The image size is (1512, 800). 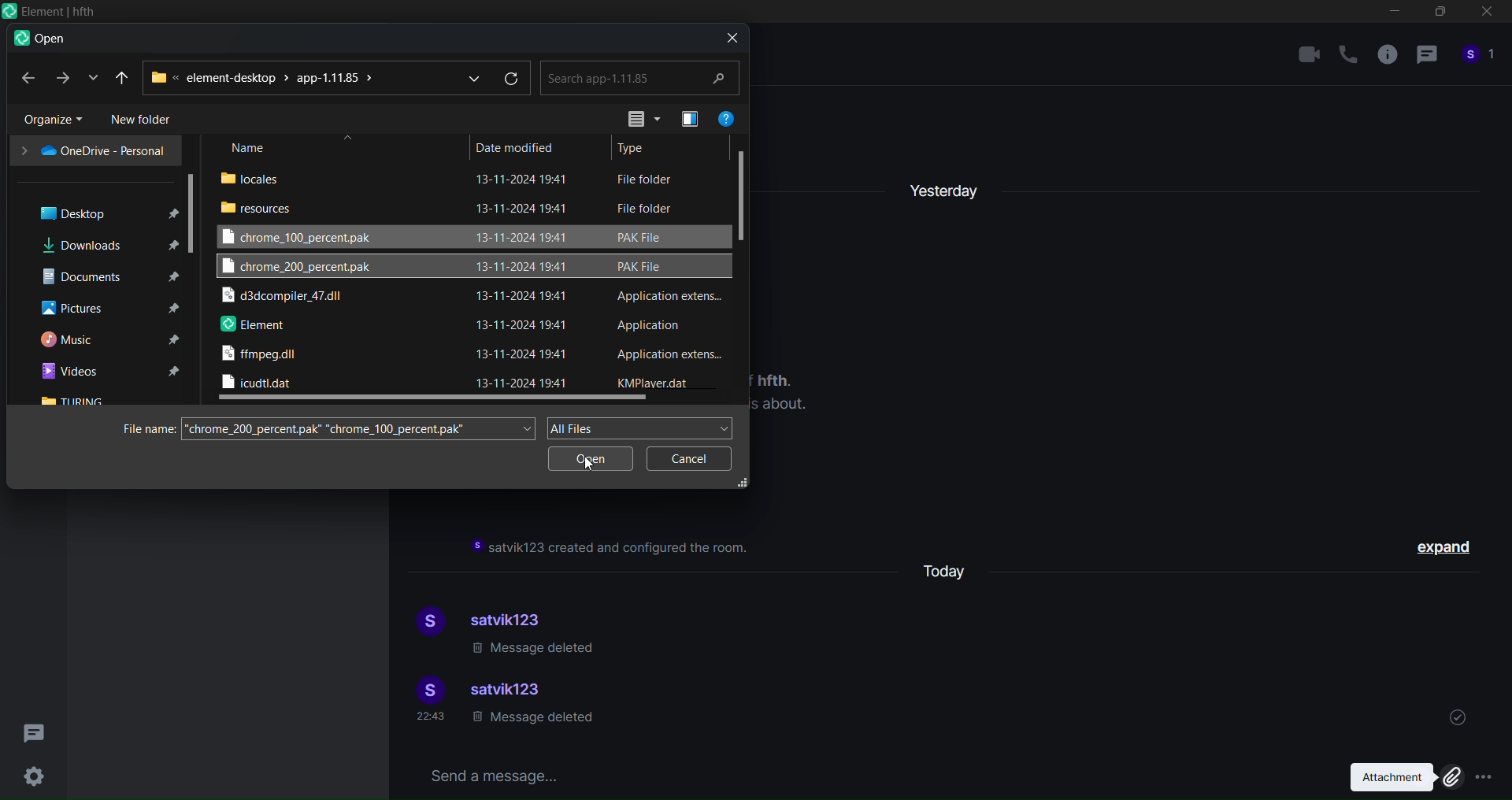 What do you see at coordinates (106, 340) in the screenshot?
I see `music` at bounding box center [106, 340].